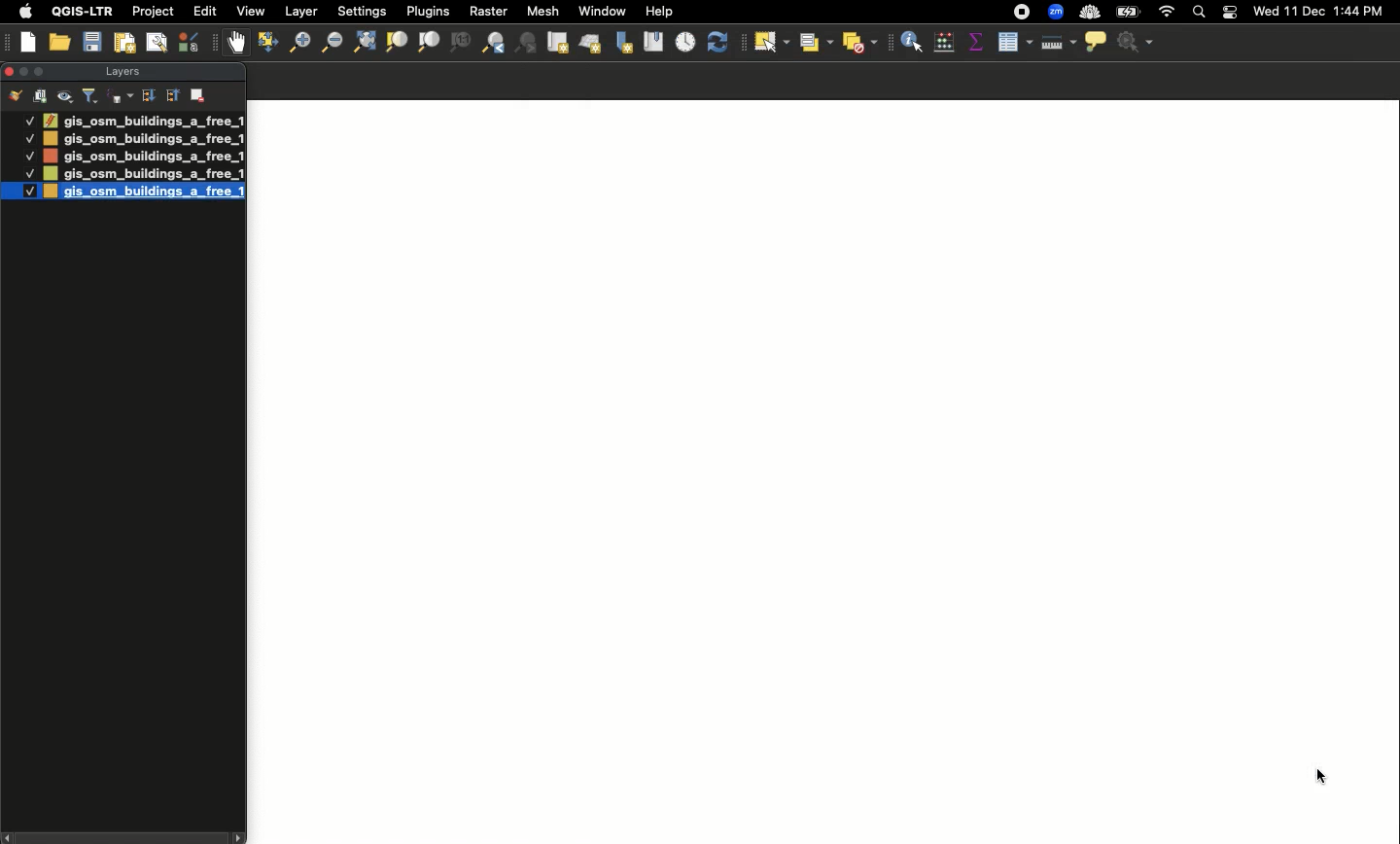 The width and height of the screenshot is (1400, 844). Describe the element at coordinates (92, 43) in the screenshot. I see `Save` at that location.